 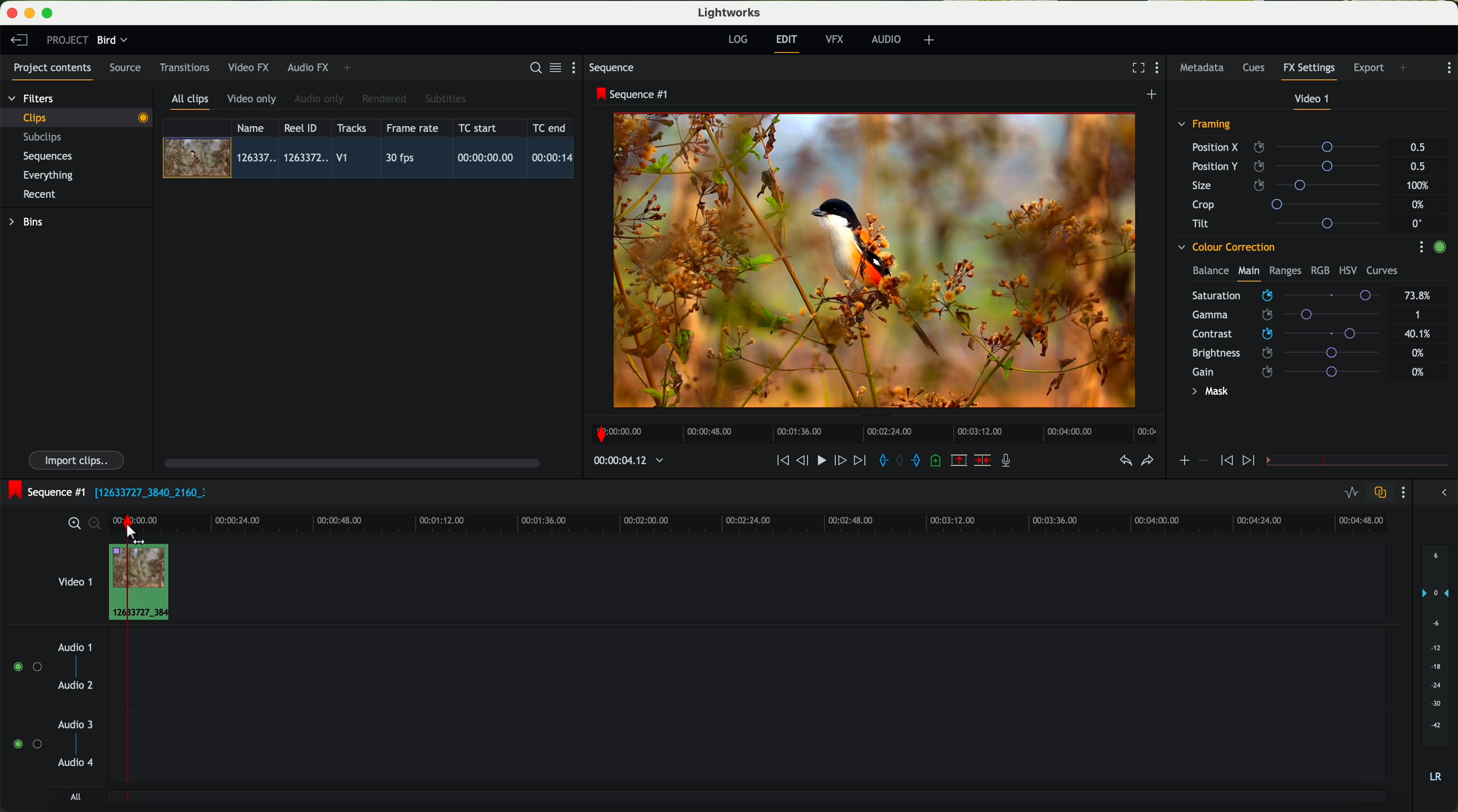 What do you see at coordinates (28, 222) in the screenshot?
I see `bins` at bounding box center [28, 222].